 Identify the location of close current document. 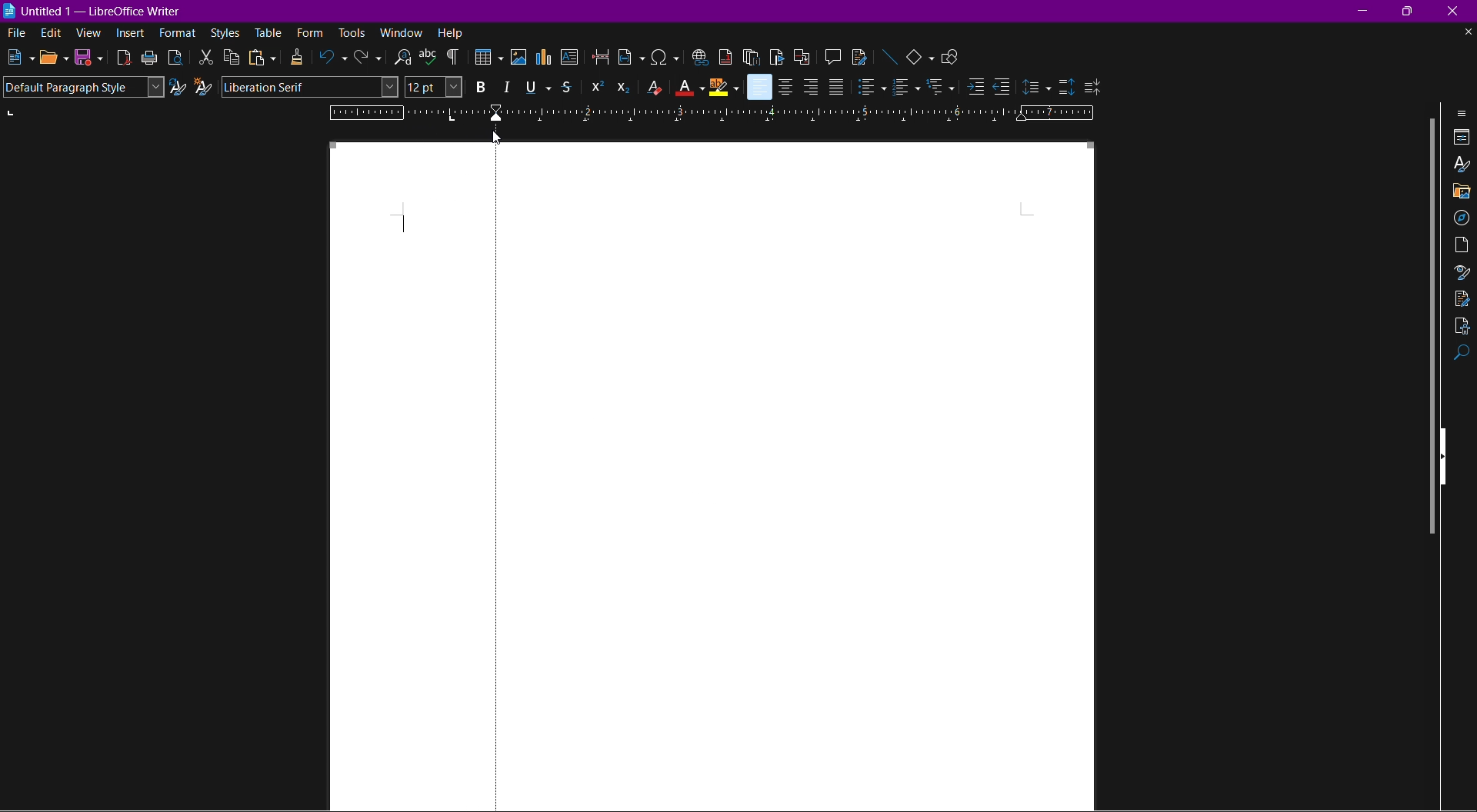
(1467, 32).